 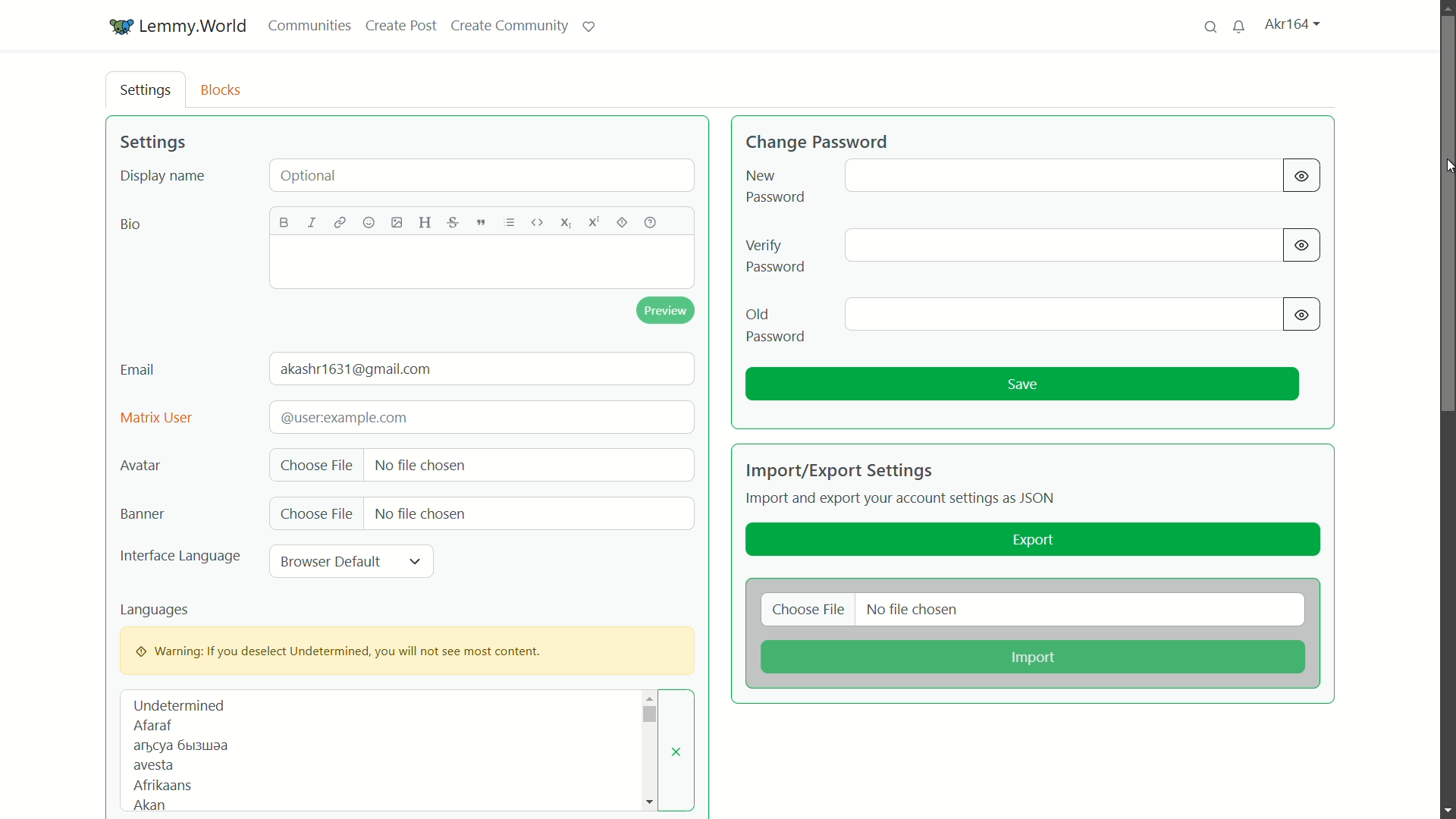 What do you see at coordinates (180, 557) in the screenshot?
I see `interface language` at bounding box center [180, 557].